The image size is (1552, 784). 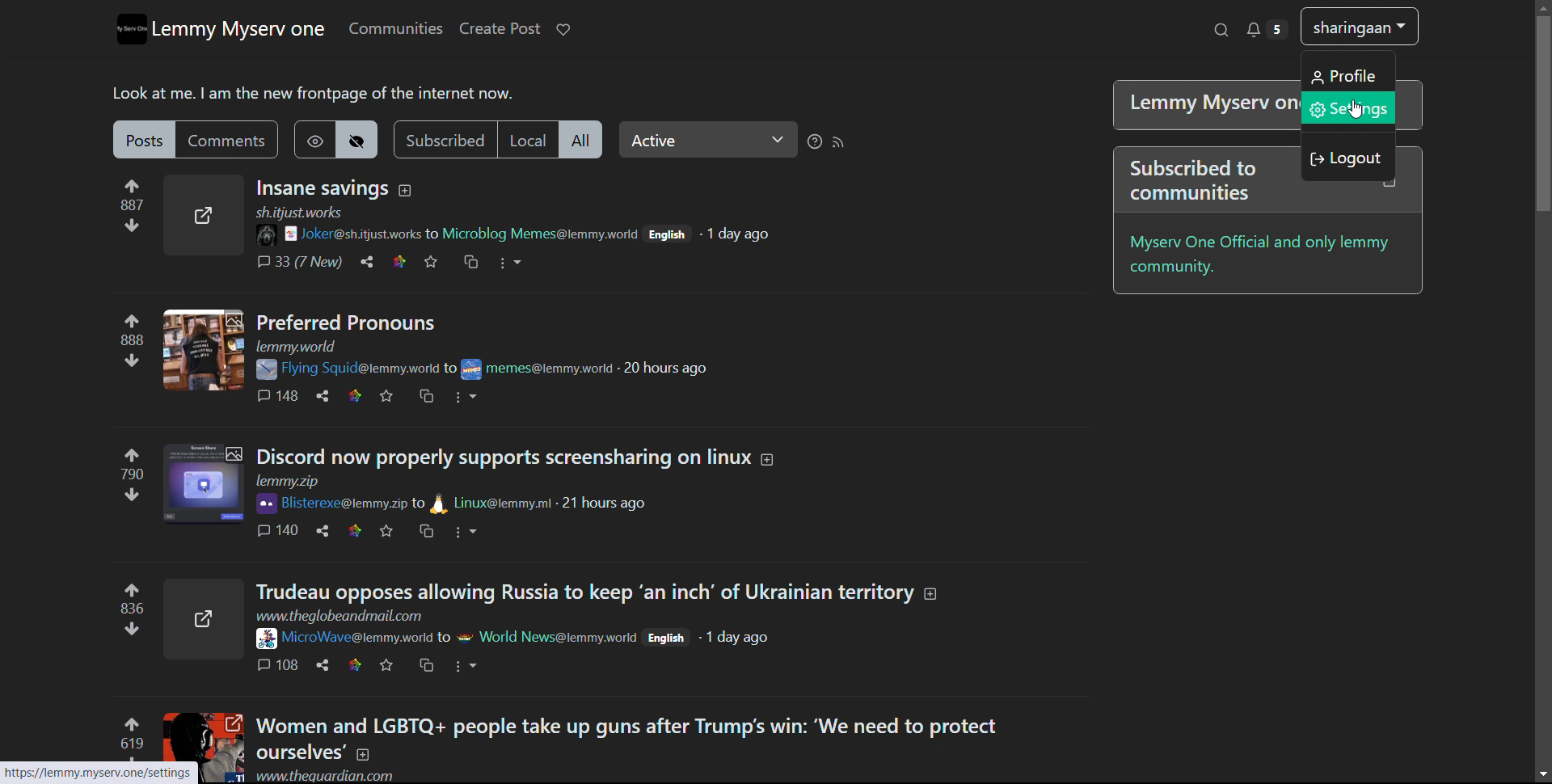 What do you see at coordinates (629, 719) in the screenshot?
I see `Women and LGBTQ+ people take up guns after Trump's win: ‘We need to protect` at bounding box center [629, 719].